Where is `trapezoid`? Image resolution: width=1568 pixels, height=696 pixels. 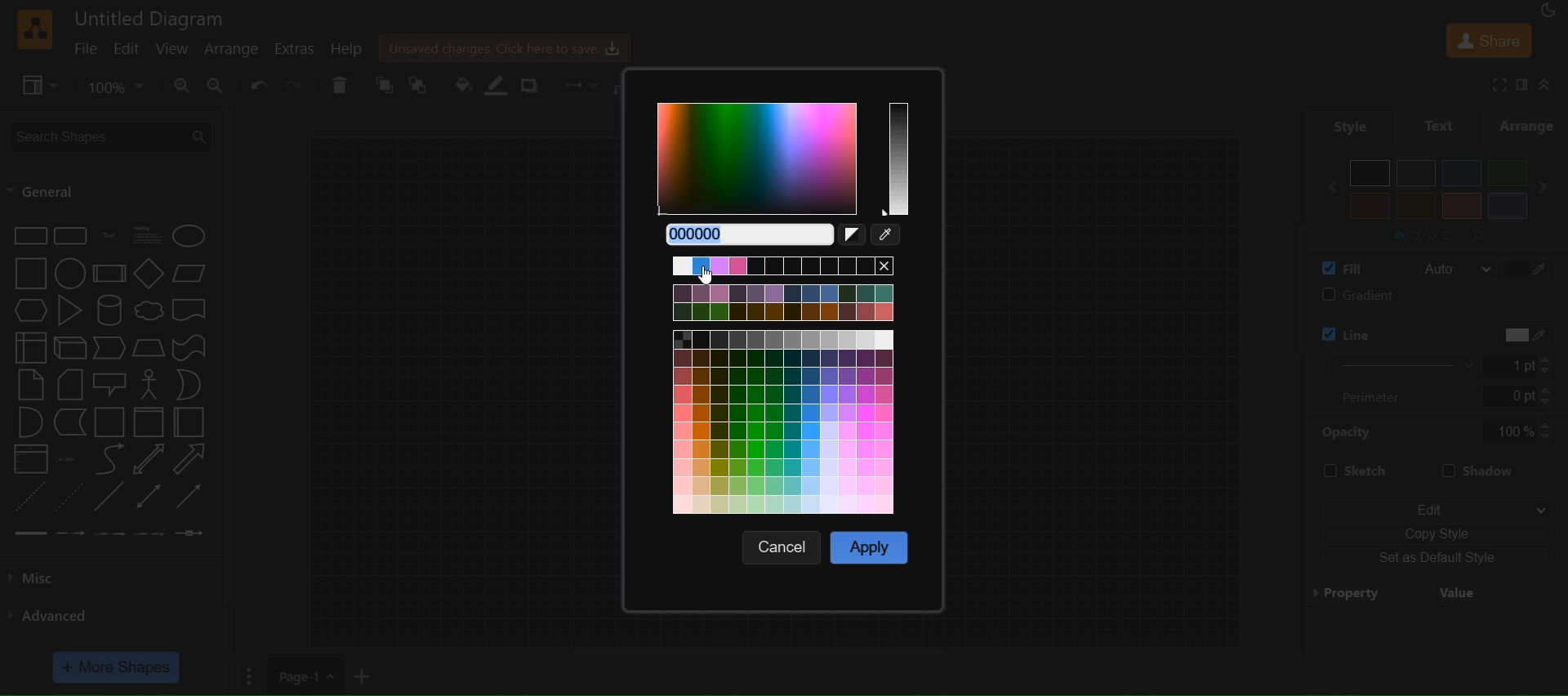 trapezoid is located at coordinates (149, 348).